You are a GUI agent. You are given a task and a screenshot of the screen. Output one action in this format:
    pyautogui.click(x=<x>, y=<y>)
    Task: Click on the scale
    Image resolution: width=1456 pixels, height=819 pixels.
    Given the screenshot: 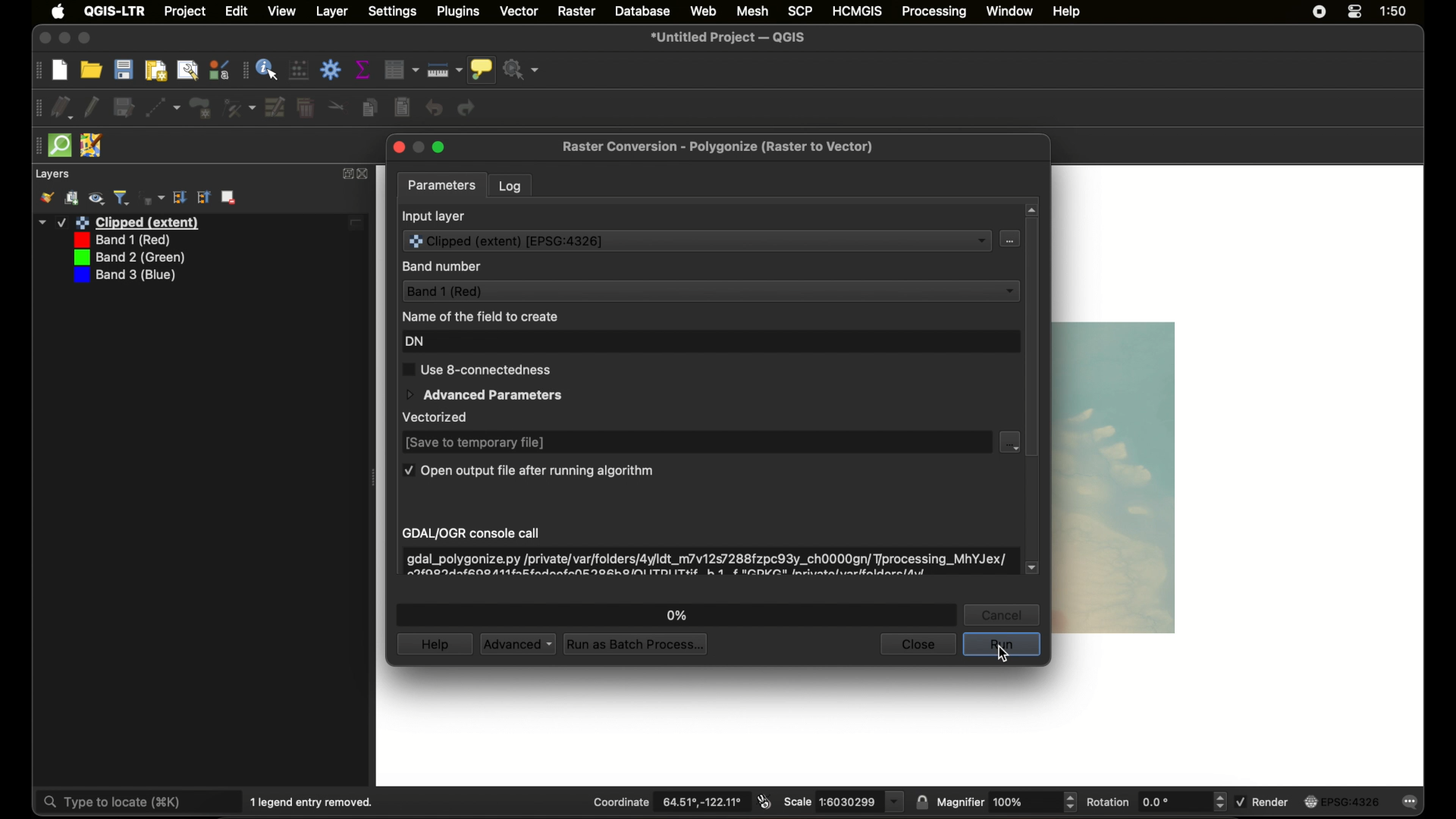 What is the action you would take?
    pyautogui.click(x=843, y=802)
    